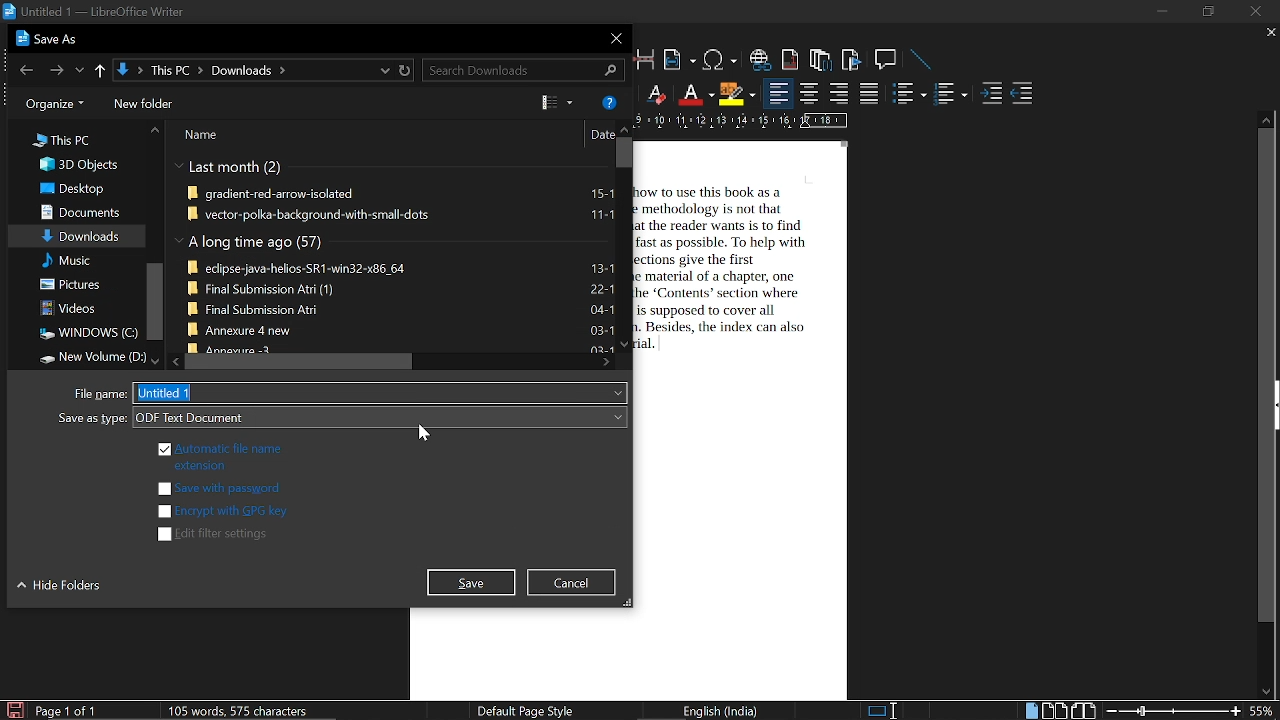 Image resolution: width=1280 pixels, height=720 pixels. Describe the element at coordinates (221, 511) in the screenshot. I see `encrypt with GPG key` at that location.